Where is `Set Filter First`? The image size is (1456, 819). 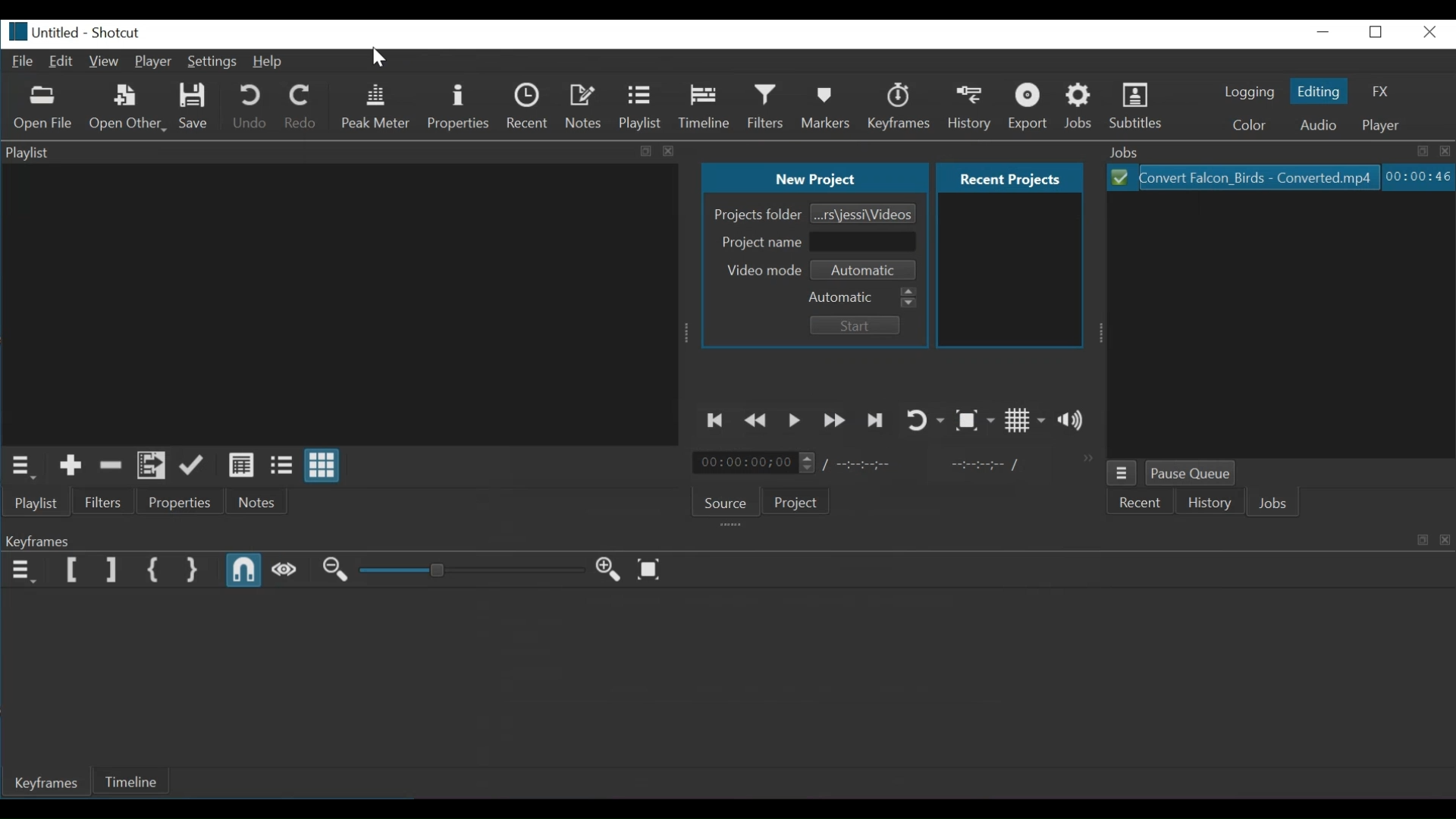
Set Filter First is located at coordinates (74, 571).